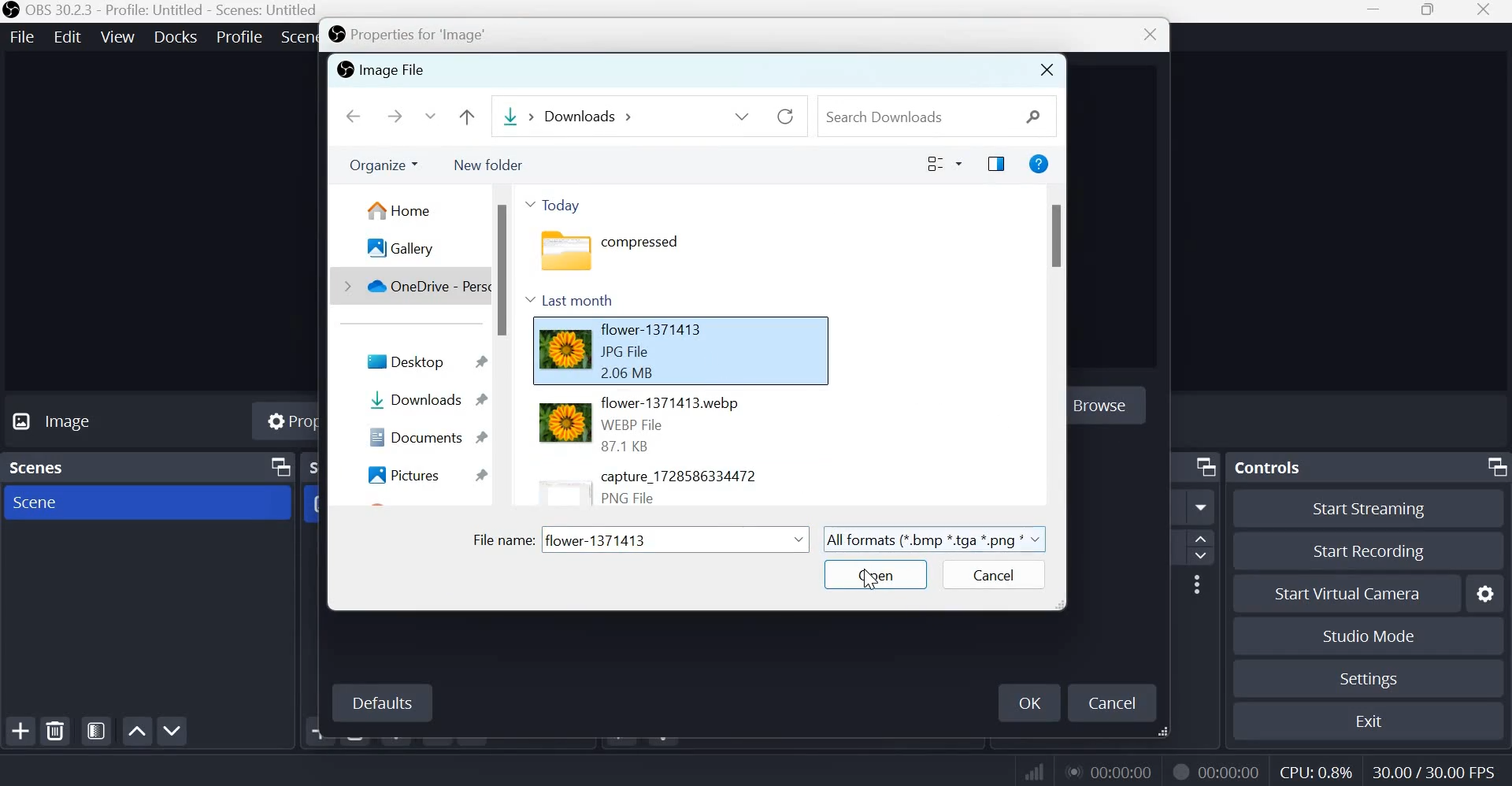  I want to click on Recording Status Icon, so click(1180, 771).